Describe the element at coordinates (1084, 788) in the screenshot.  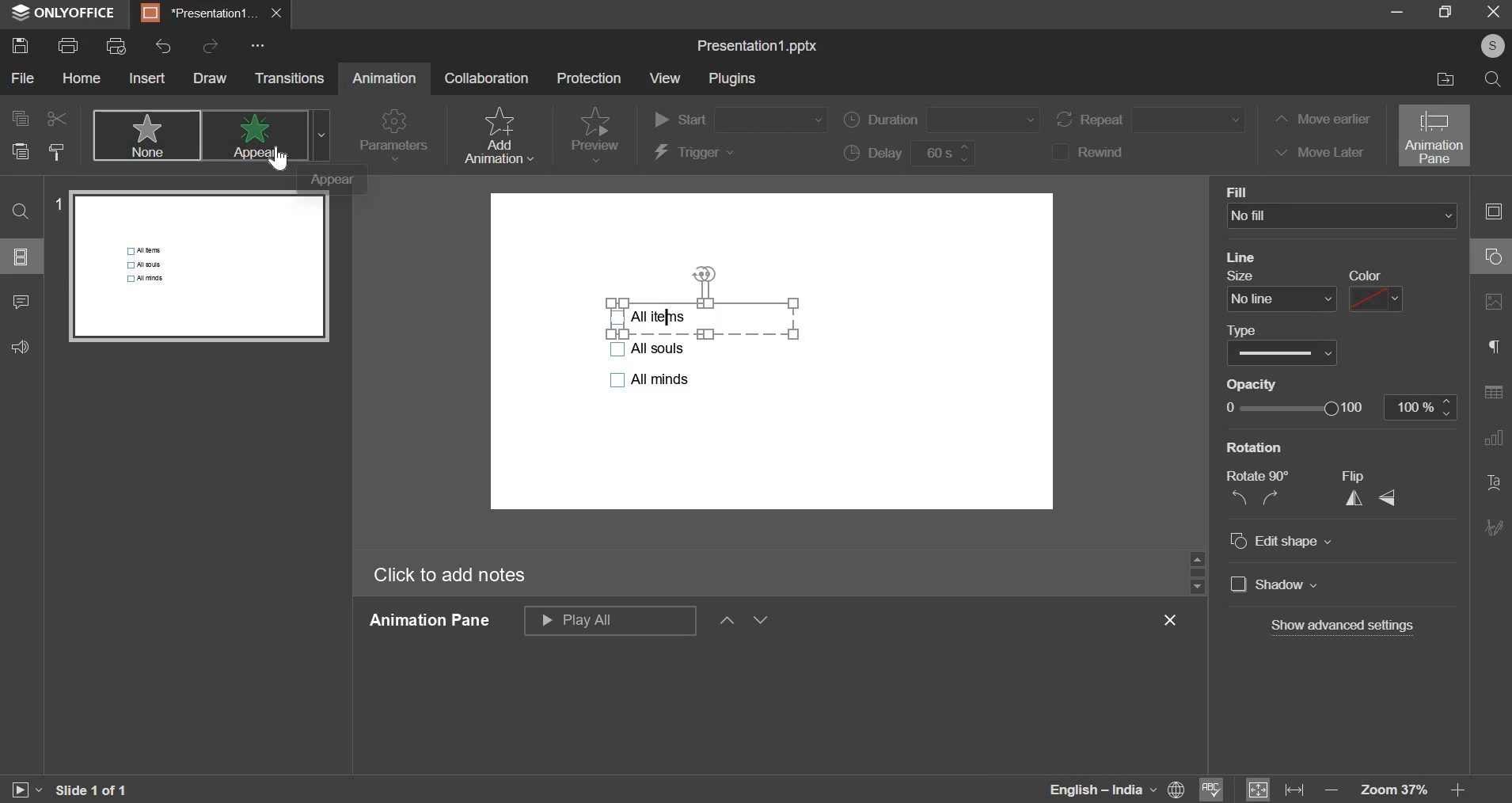
I see `language` at that location.